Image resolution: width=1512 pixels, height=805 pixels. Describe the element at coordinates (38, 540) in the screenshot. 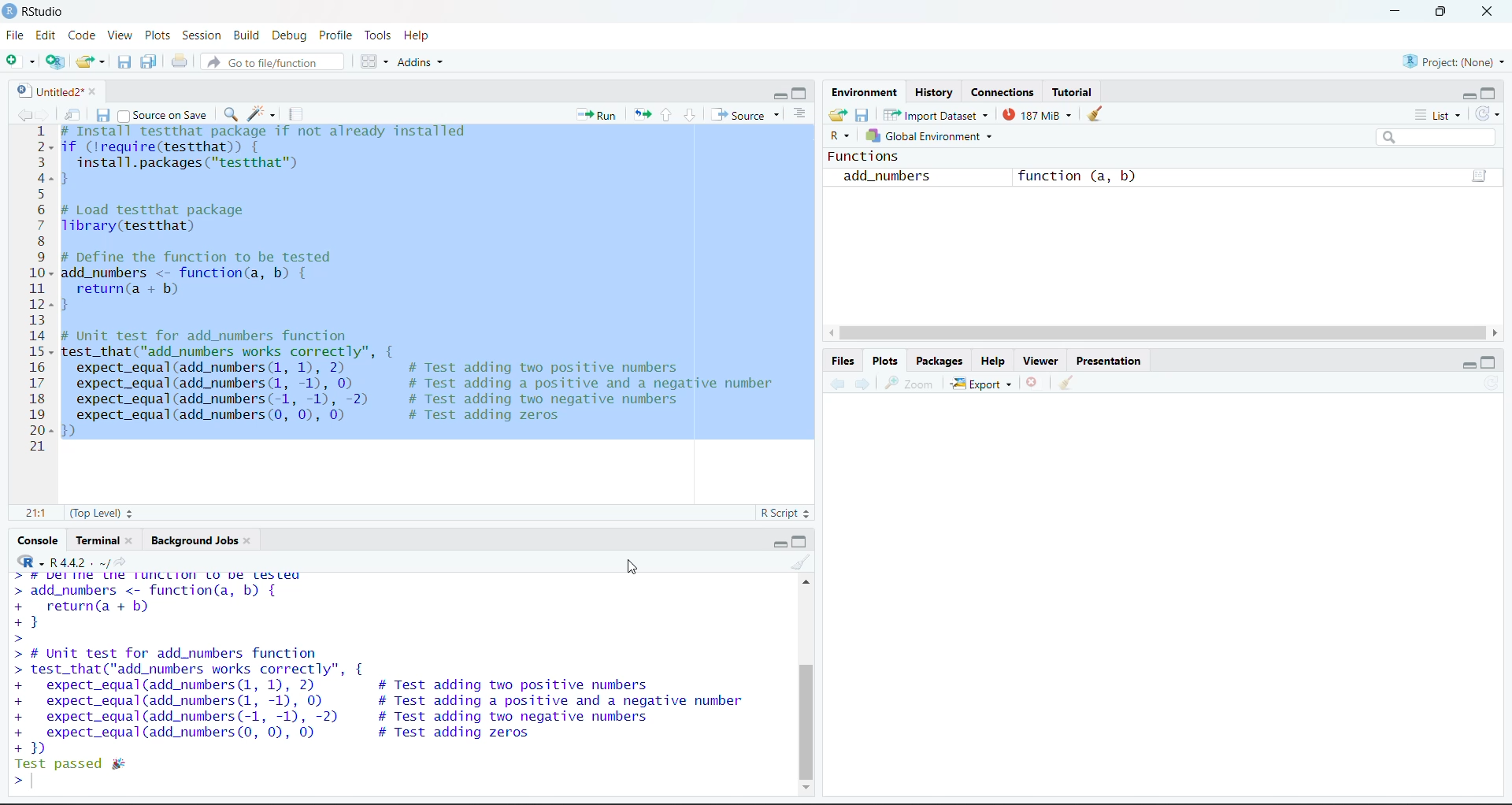

I see `console` at that location.